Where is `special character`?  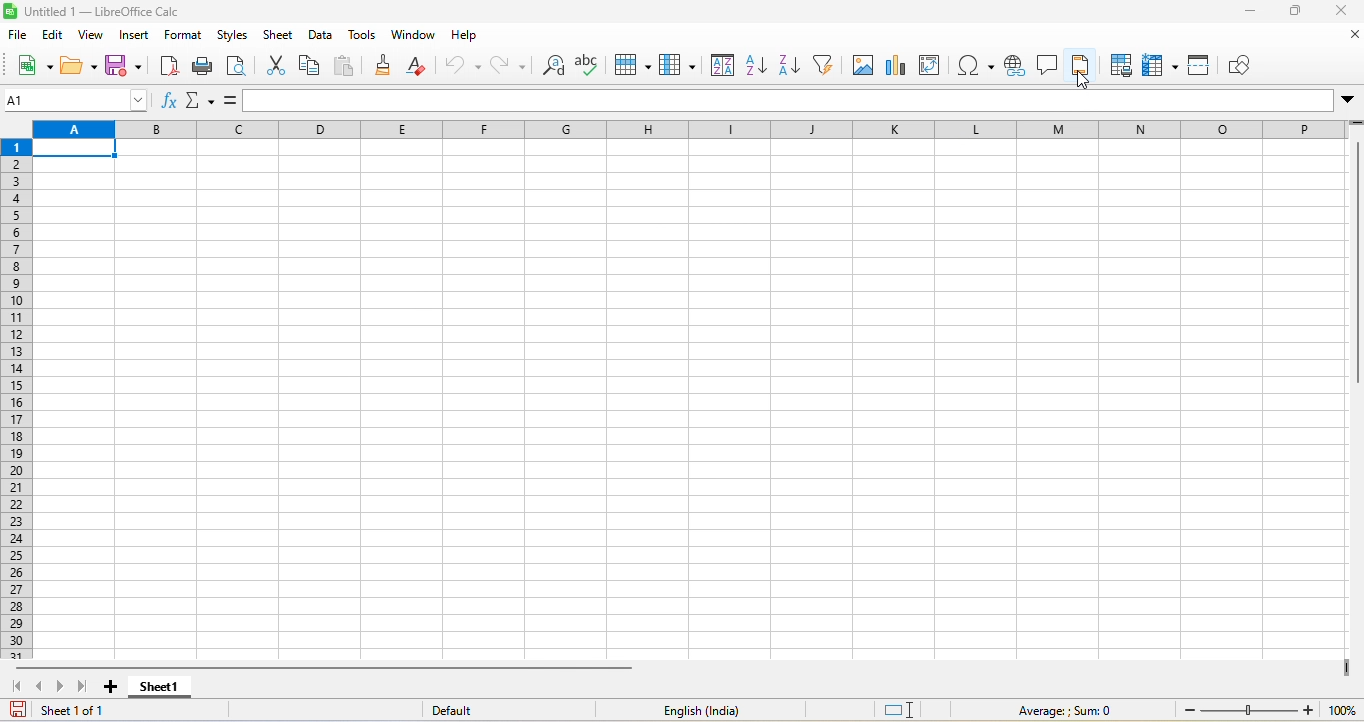
special character is located at coordinates (976, 65).